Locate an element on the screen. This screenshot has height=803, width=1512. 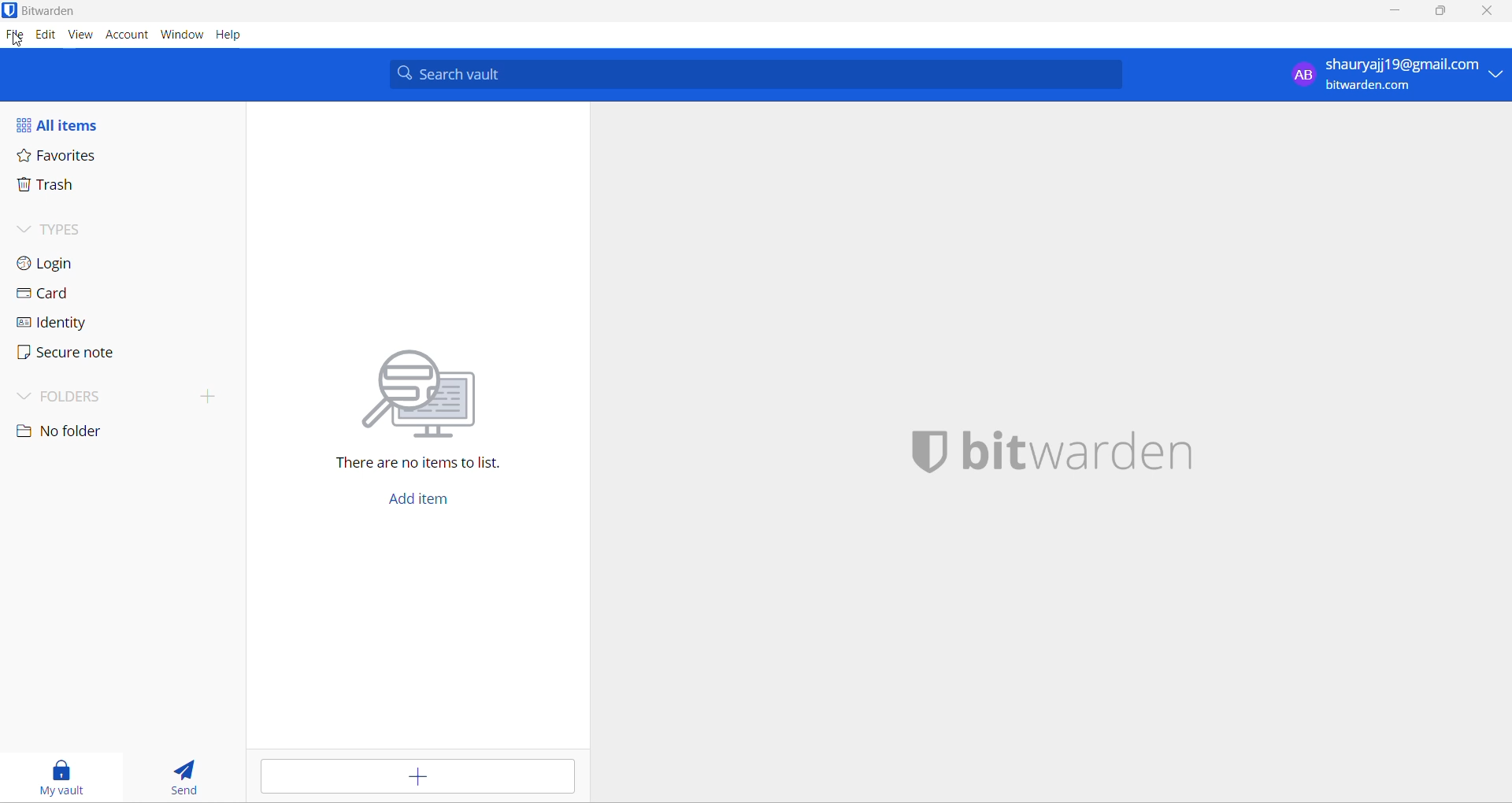
settings is located at coordinates (16, 39).